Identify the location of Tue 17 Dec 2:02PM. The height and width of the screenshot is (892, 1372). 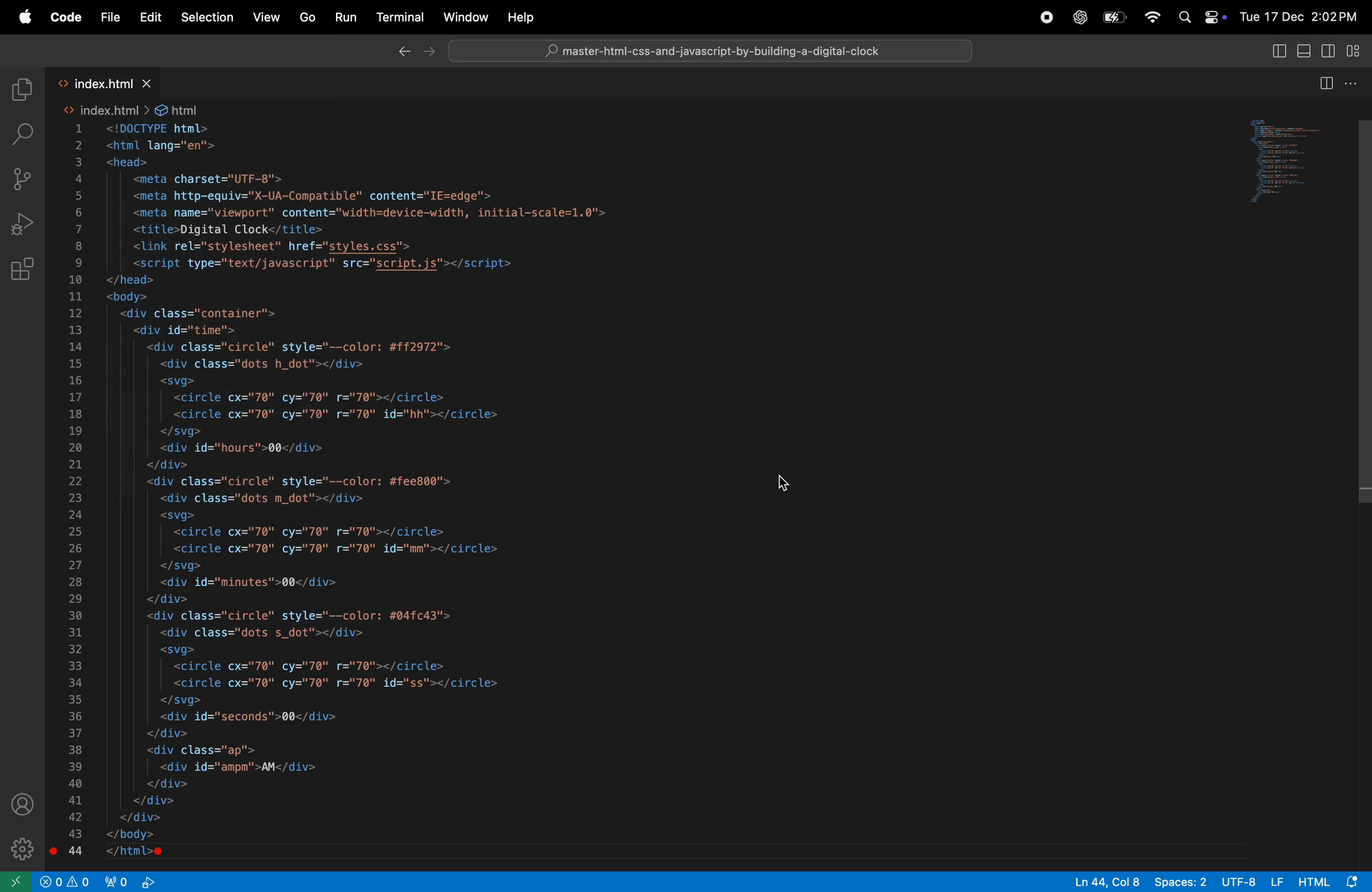
(1299, 18).